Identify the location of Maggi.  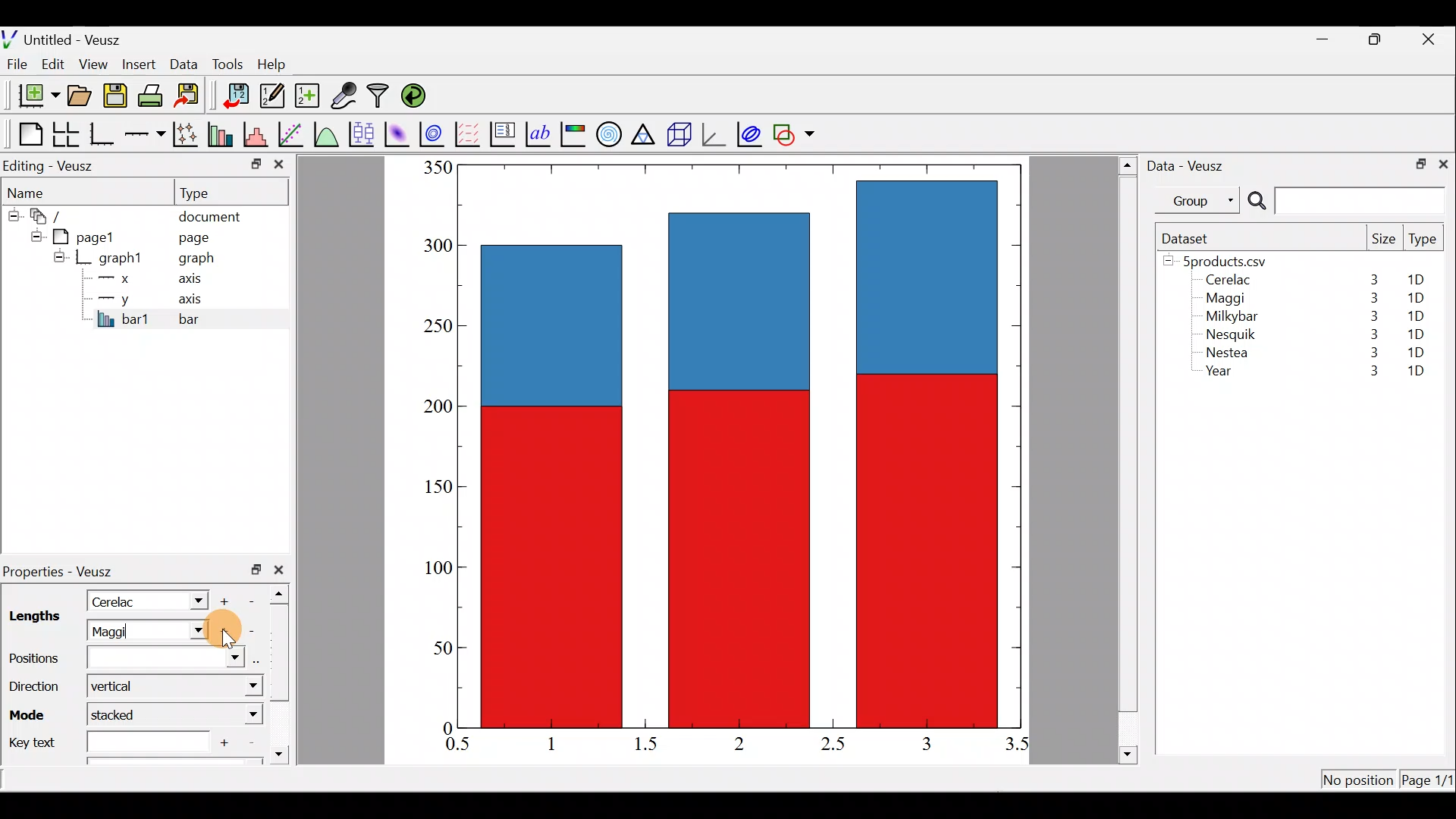
(1227, 300).